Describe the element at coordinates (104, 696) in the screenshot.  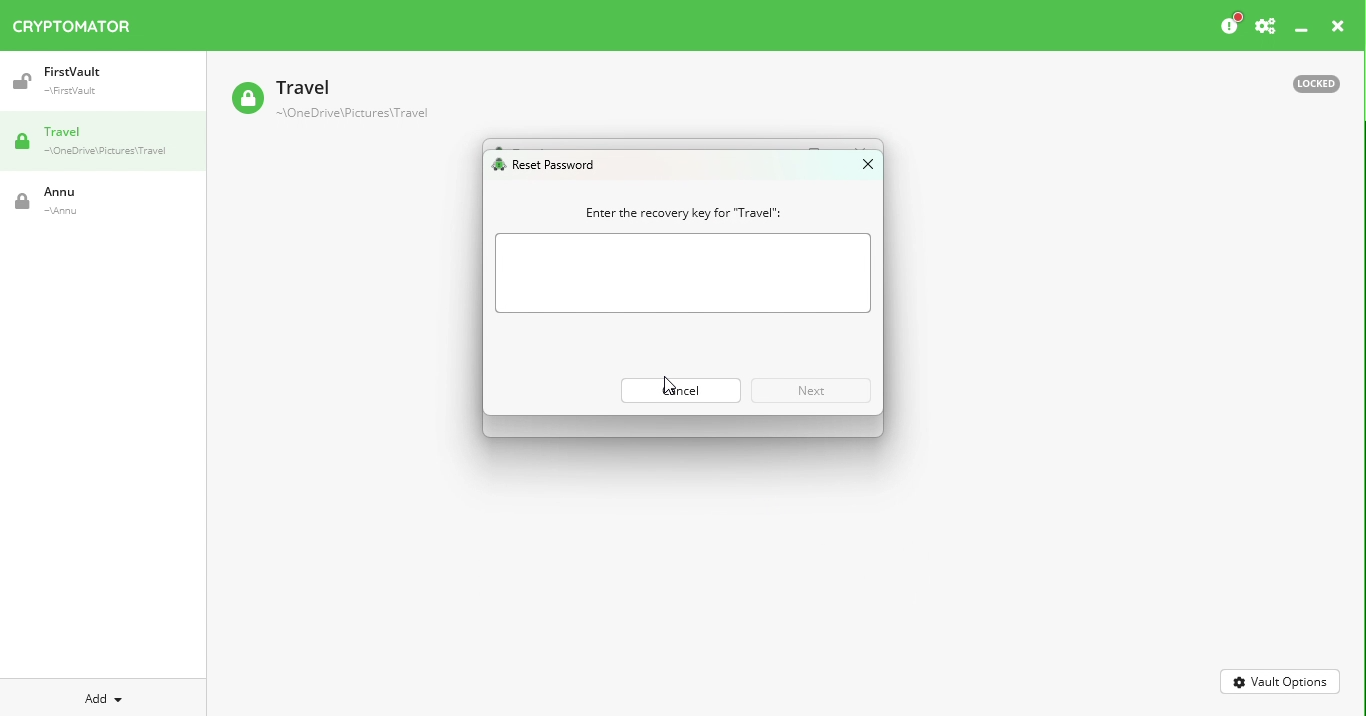
I see `Add new vault` at that location.